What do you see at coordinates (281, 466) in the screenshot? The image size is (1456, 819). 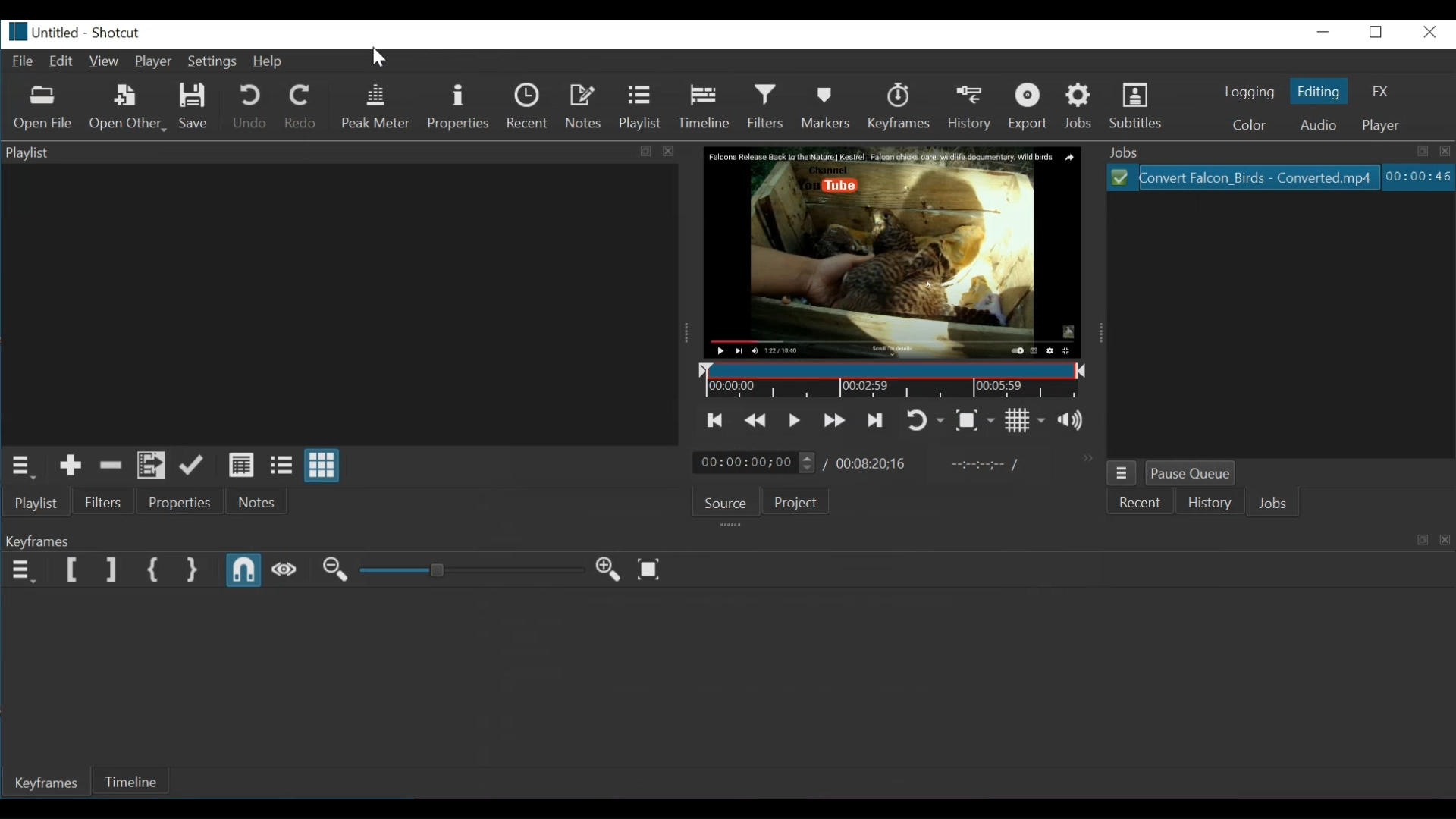 I see `View as files` at bounding box center [281, 466].